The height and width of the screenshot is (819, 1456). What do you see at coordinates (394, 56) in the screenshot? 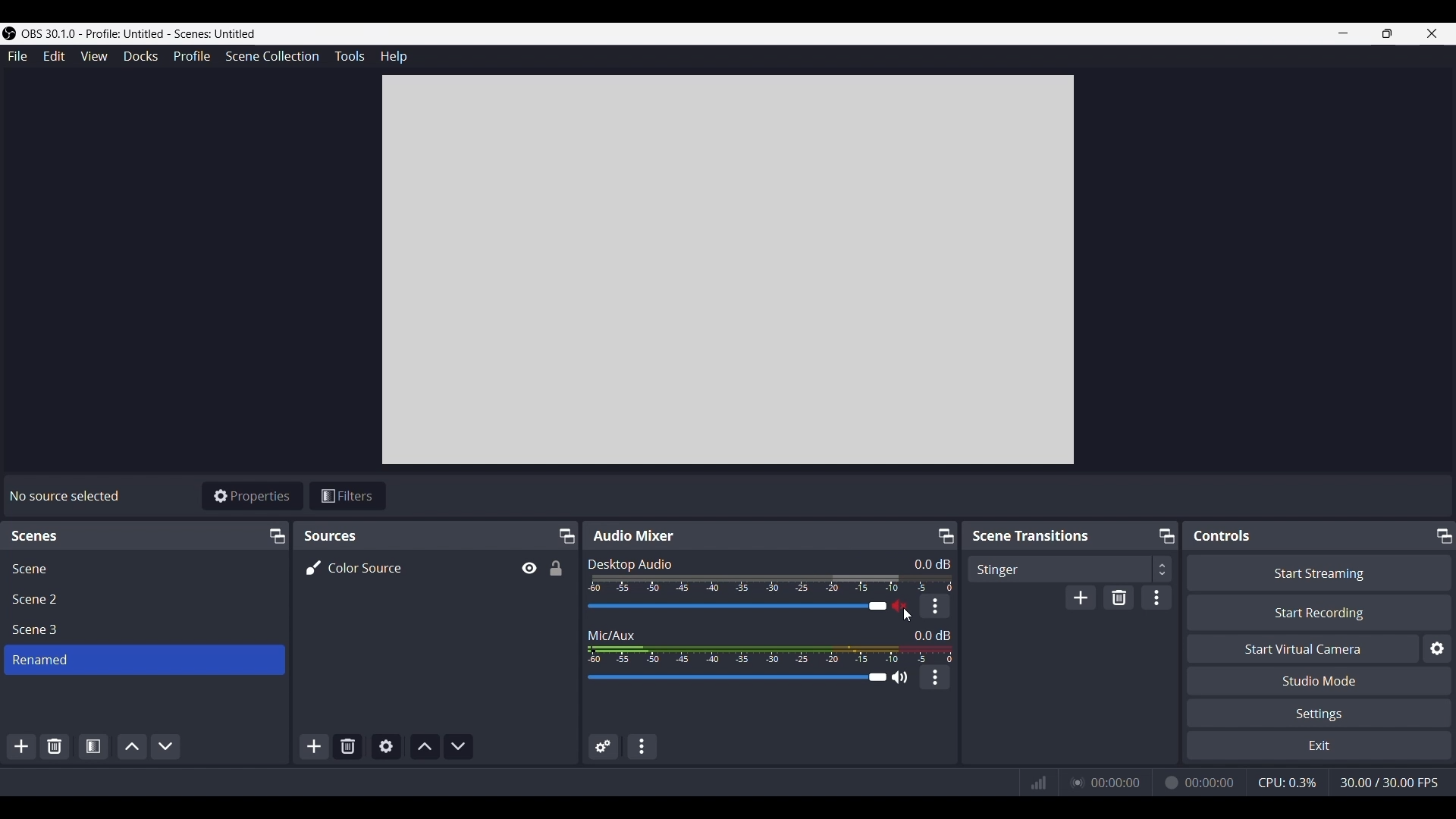
I see `Help` at bounding box center [394, 56].